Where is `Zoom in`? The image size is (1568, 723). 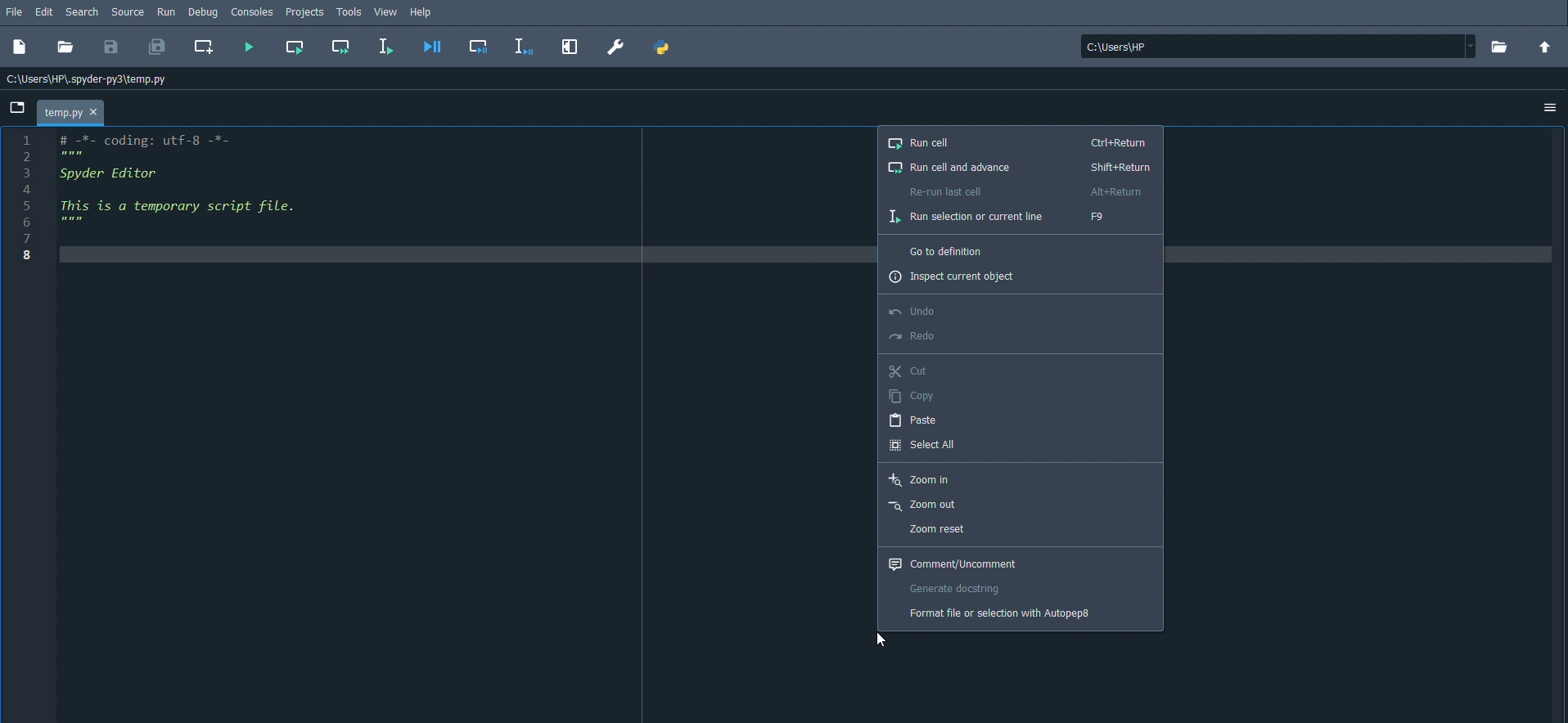 Zoom in is located at coordinates (920, 479).